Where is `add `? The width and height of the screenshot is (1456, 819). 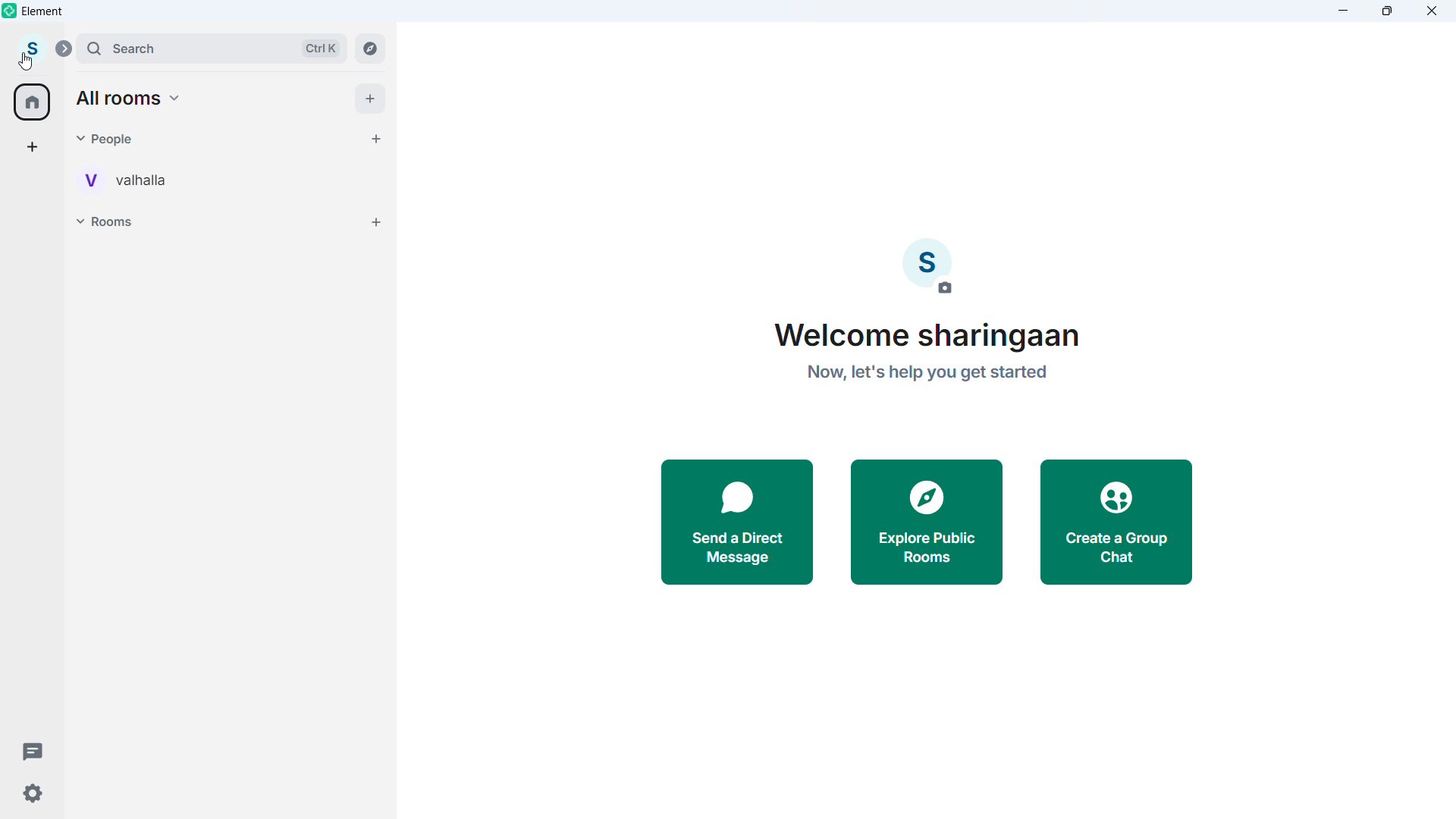 add  is located at coordinates (371, 99).